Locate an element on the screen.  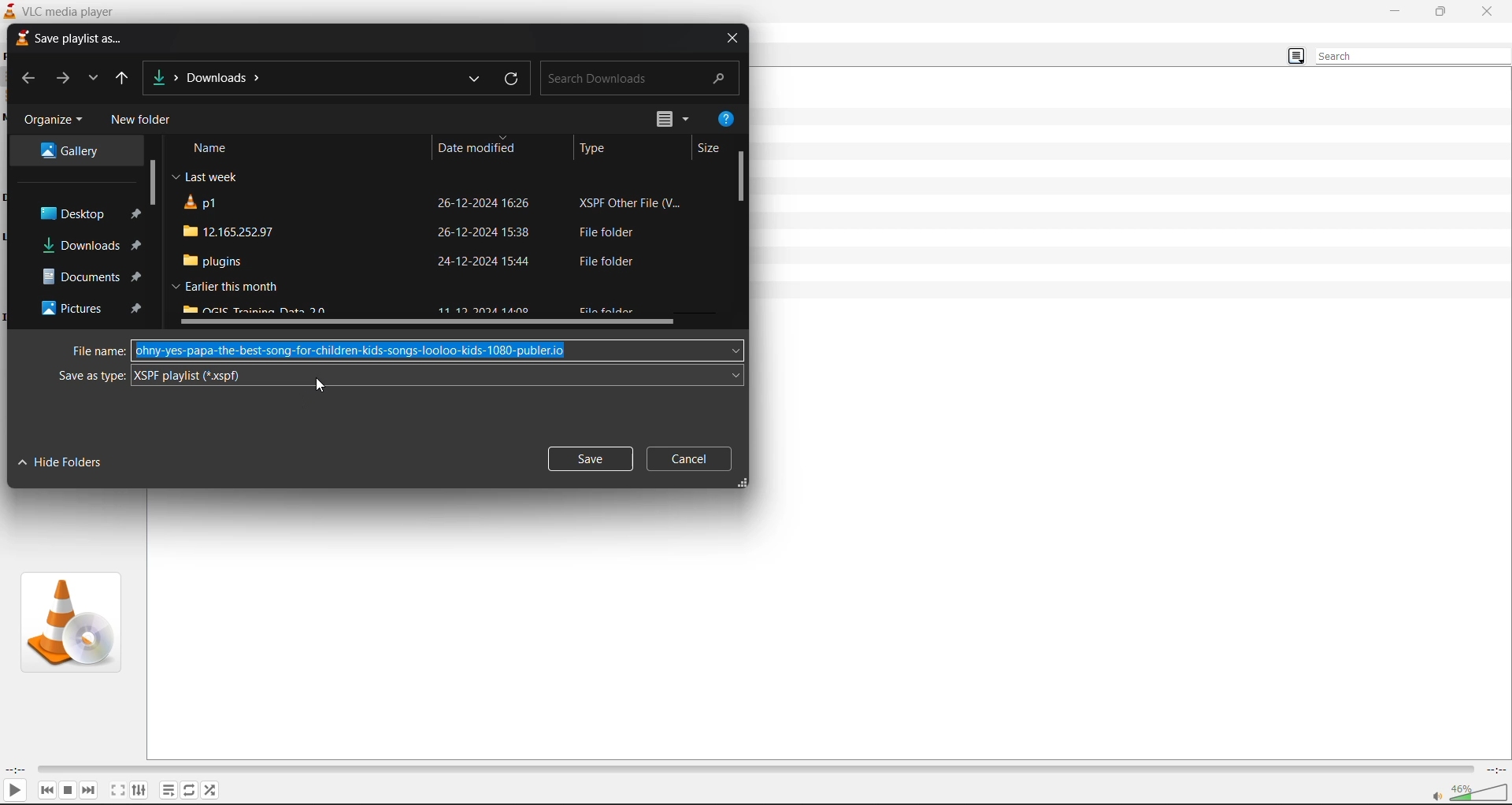
maximize is located at coordinates (1440, 13).